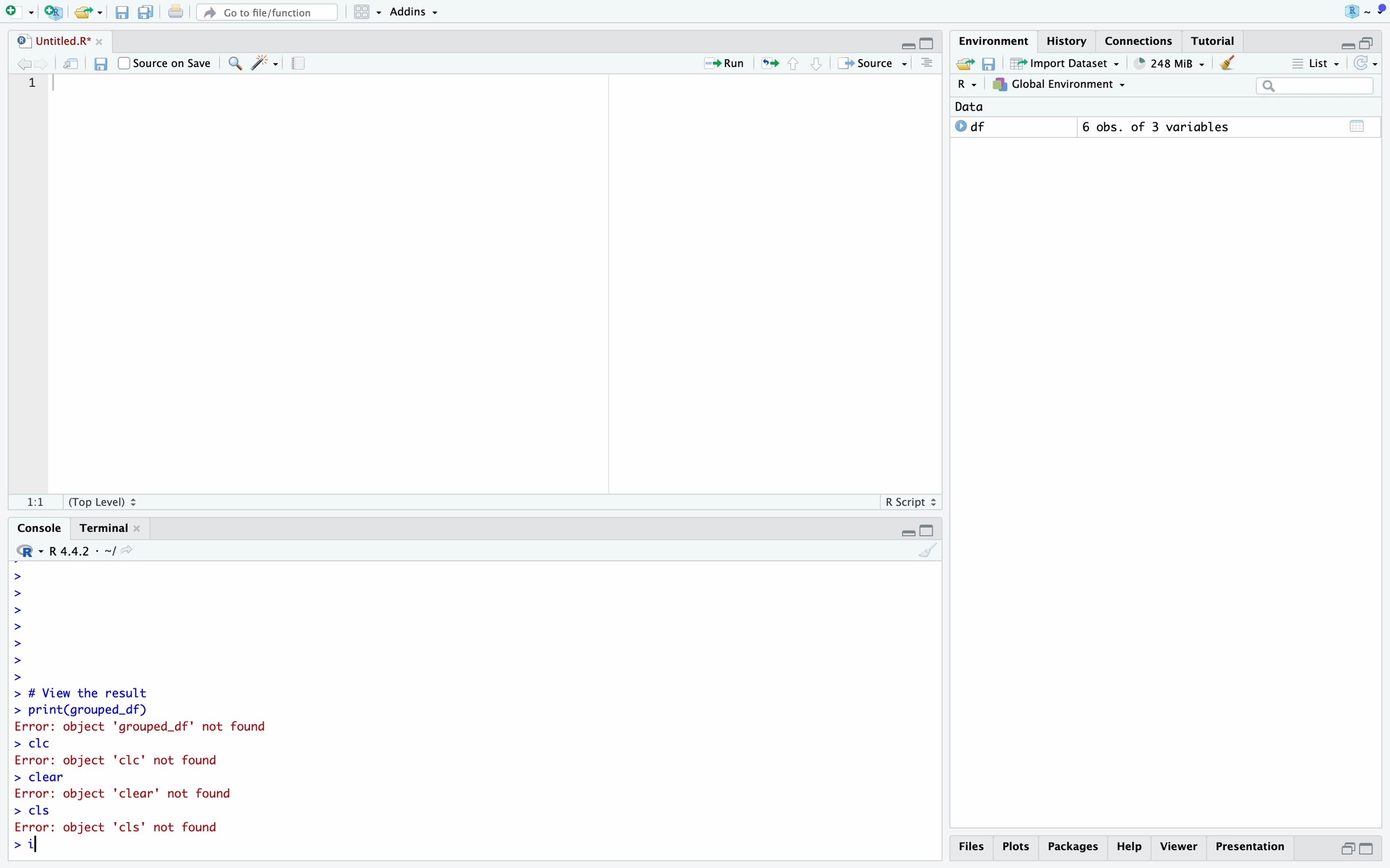  Describe the element at coordinates (59, 40) in the screenshot. I see `Untitled.R*` at that location.